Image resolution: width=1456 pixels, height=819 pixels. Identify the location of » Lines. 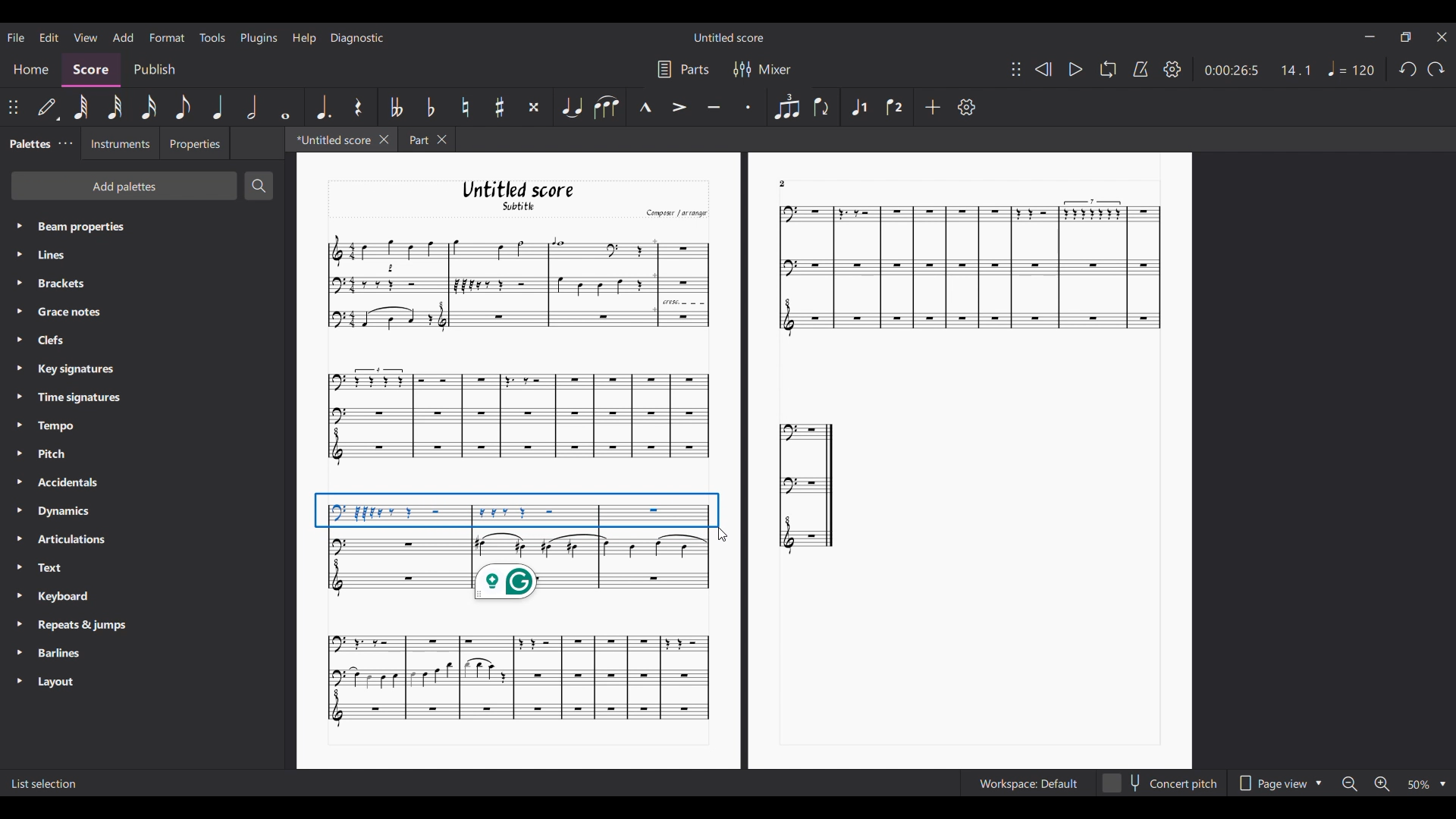
(66, 256).